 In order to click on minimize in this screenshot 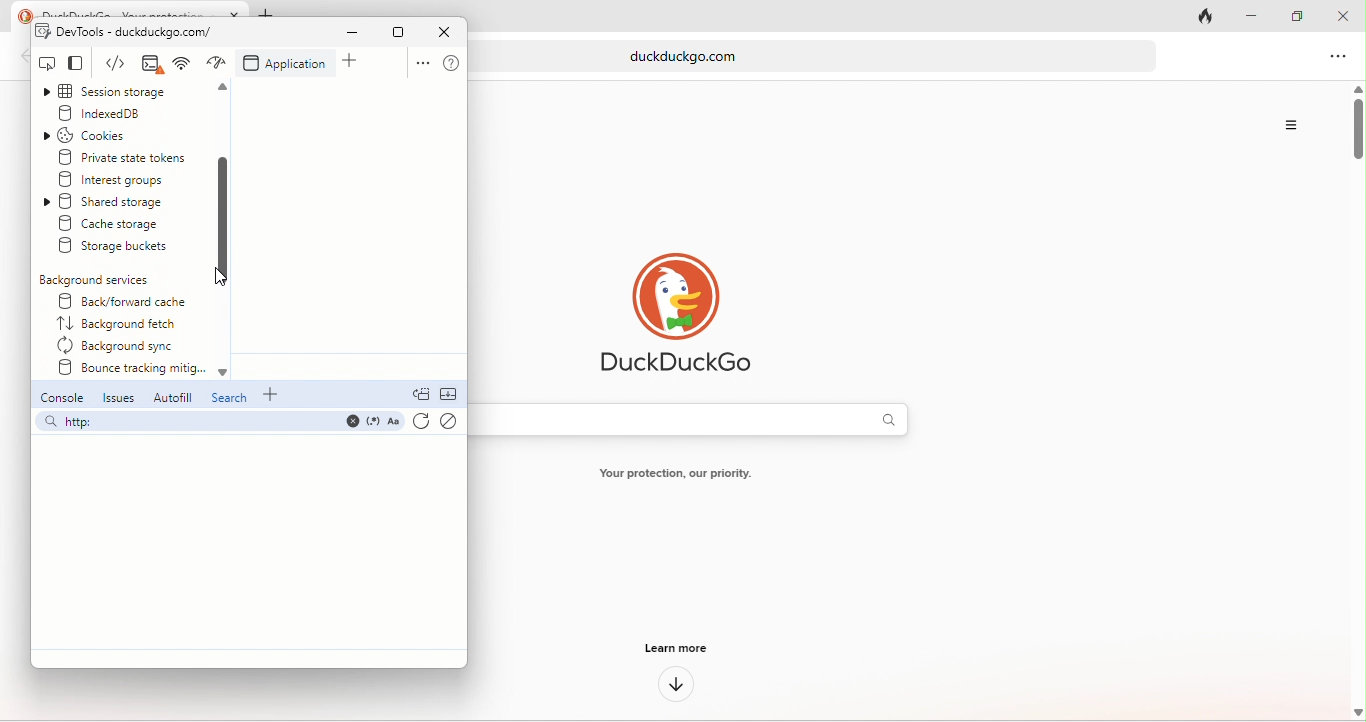, I will do `click(345, 34)`.